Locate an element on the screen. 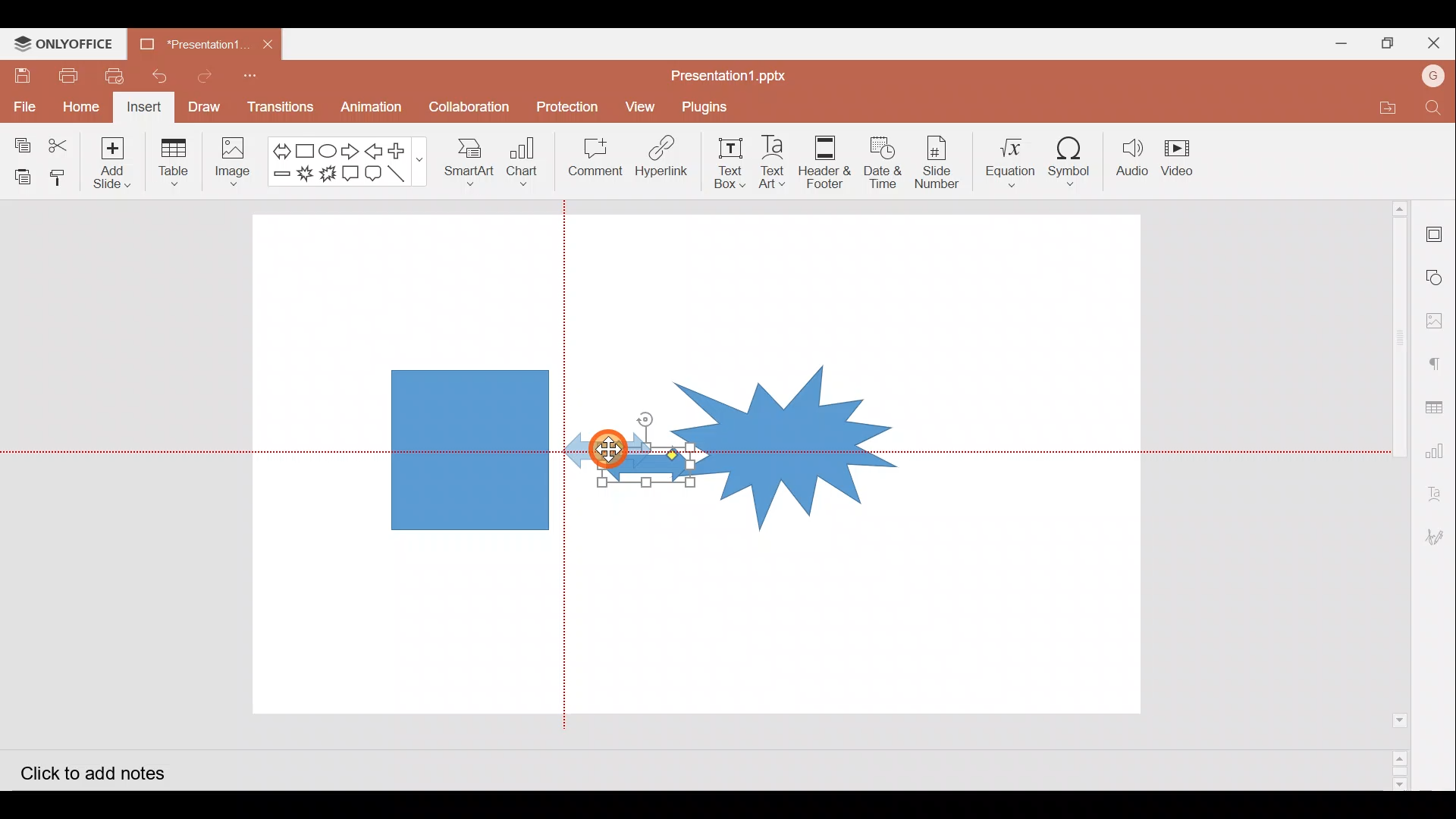  Explosion is located at coordinates (786, 429).